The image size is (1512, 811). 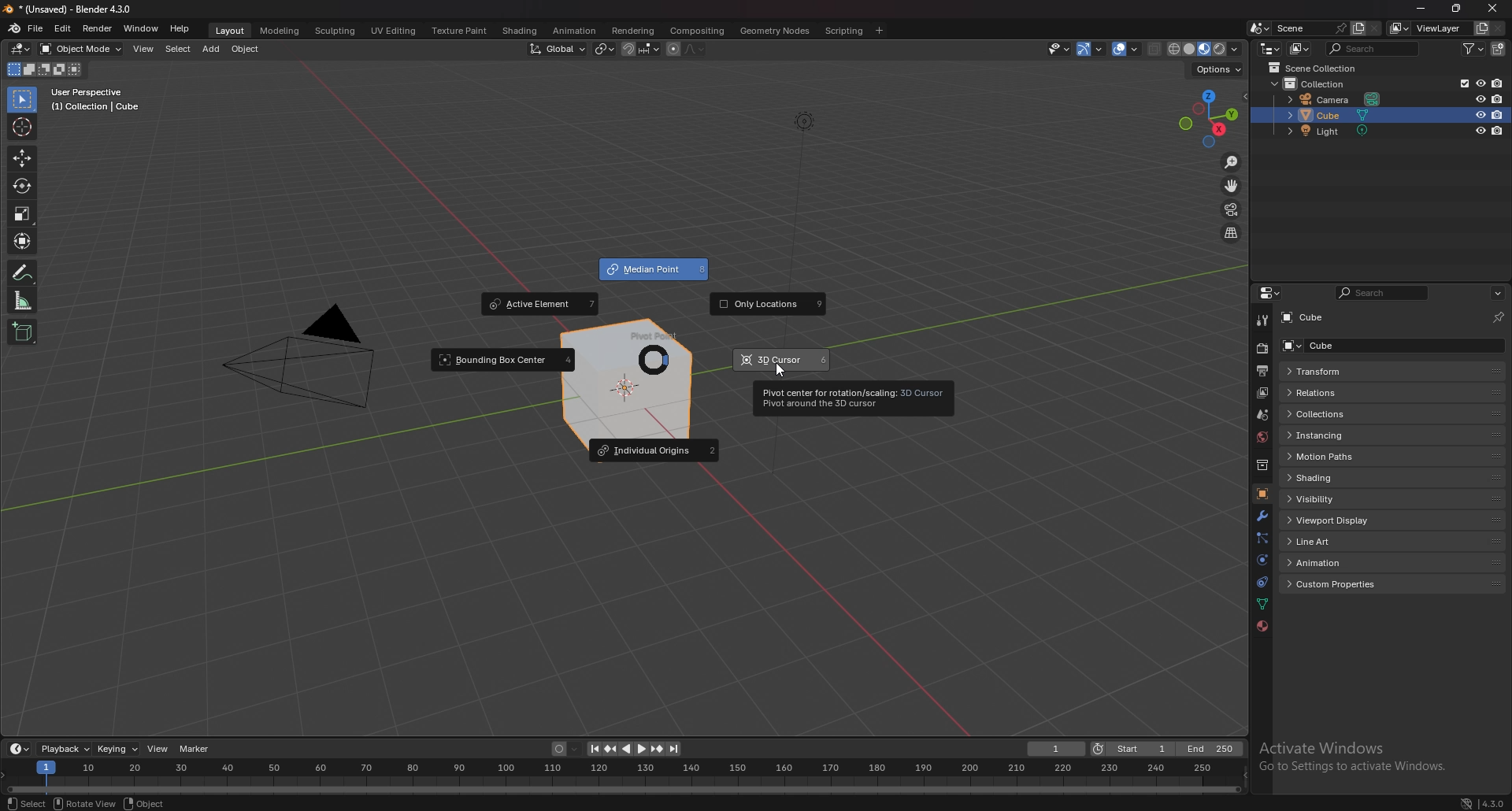 I want to click on overlays, so click(x=1125, y=50).